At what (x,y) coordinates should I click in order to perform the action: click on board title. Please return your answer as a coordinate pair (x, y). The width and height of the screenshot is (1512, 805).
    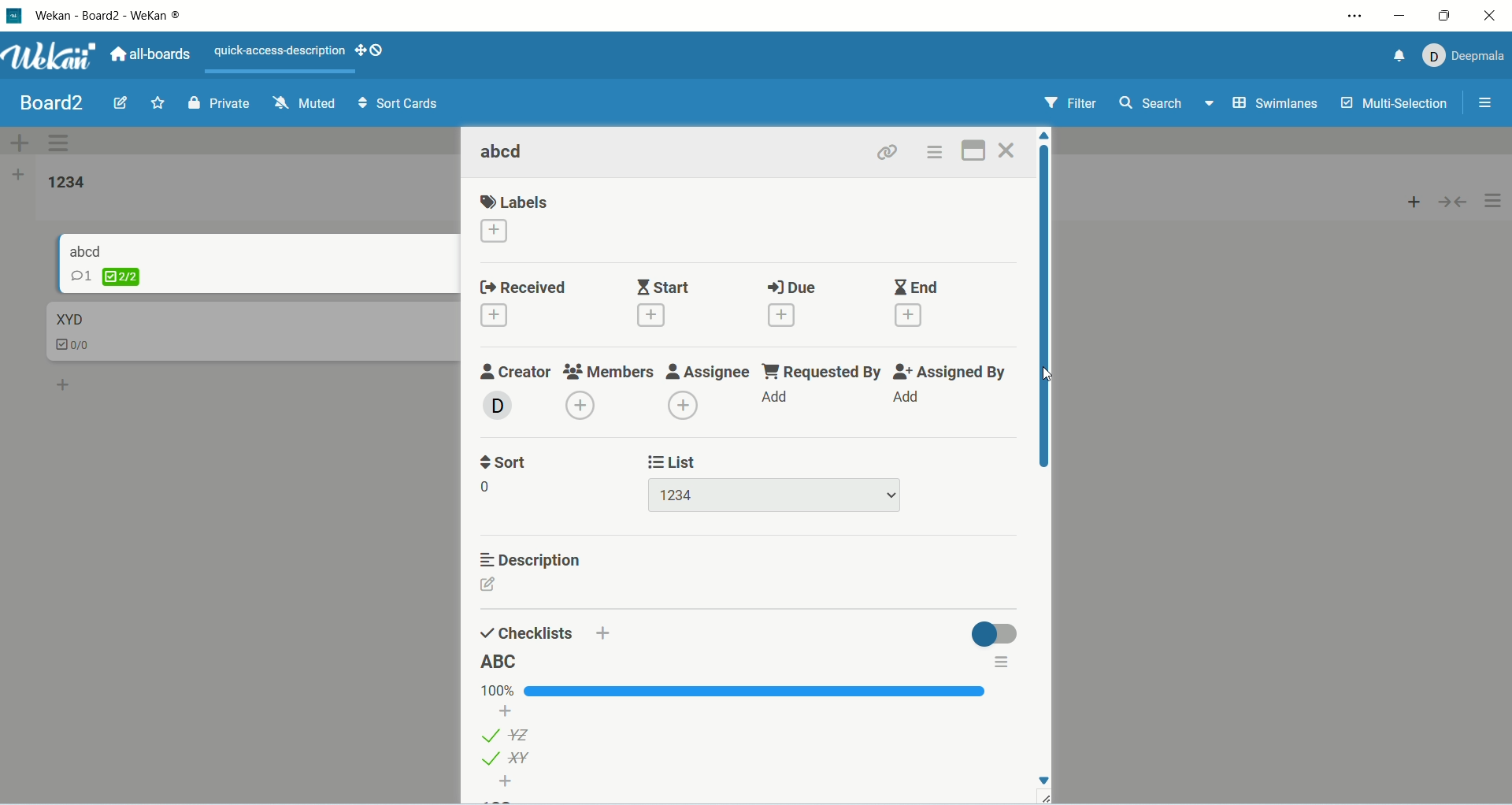
    Looking at the image, I should click on (48, 102).